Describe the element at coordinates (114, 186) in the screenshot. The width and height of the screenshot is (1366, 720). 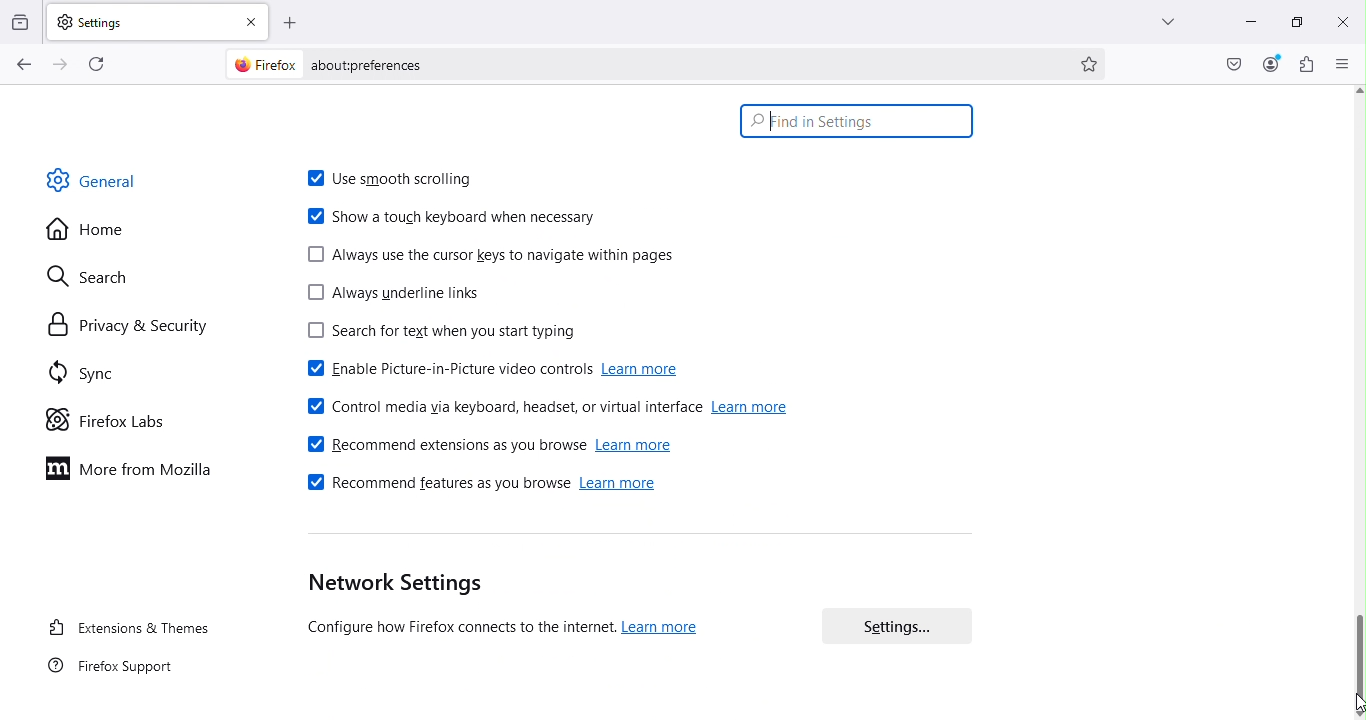
I see `General` at that location.